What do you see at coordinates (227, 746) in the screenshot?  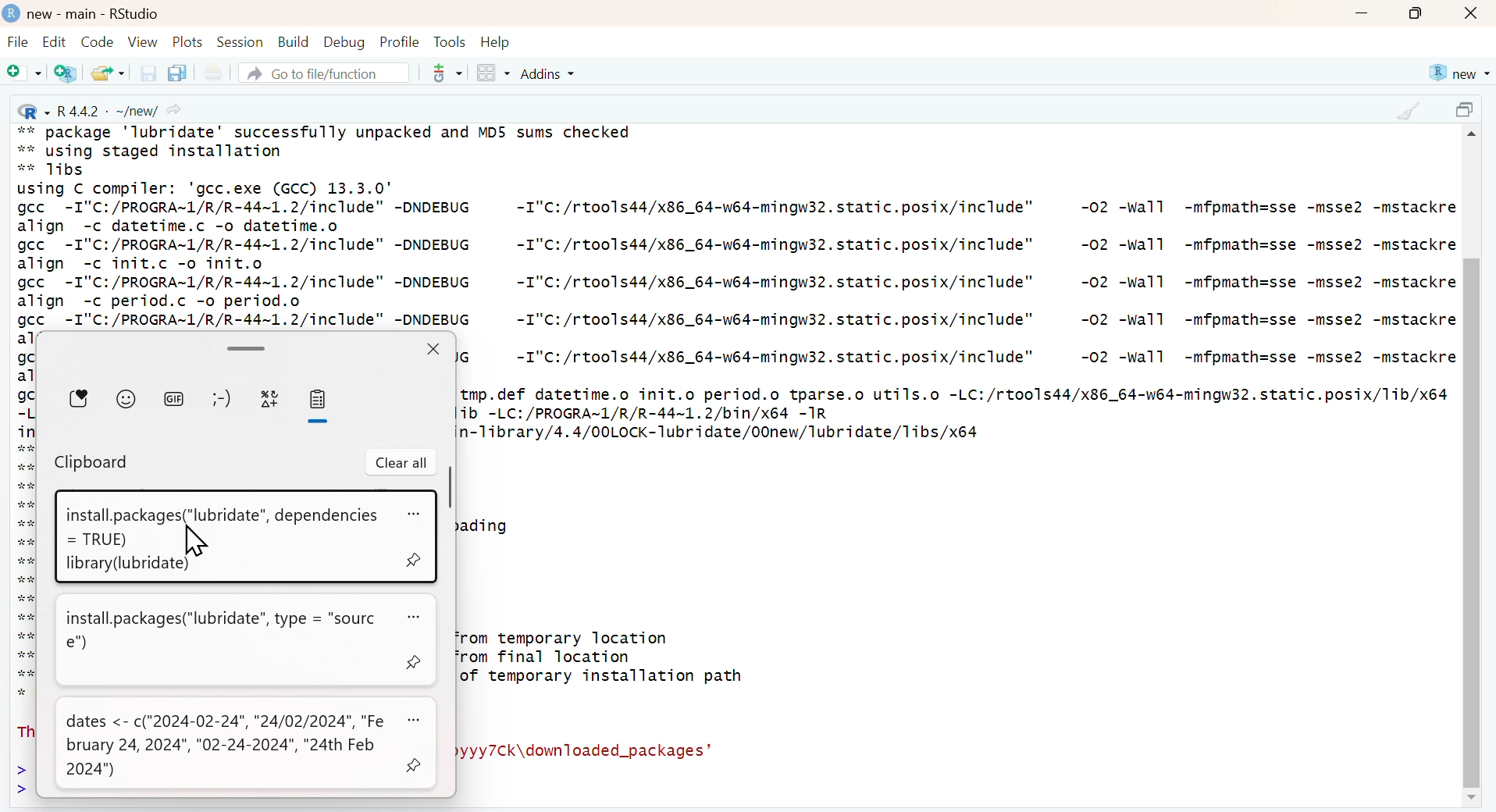 I see `dates <- ¢("2024-02-24", "24/02/2024", "Fe
bruary 24, 2024", "02-24-2024", "24th Feb
2024")` at bounding box center [227, 746].